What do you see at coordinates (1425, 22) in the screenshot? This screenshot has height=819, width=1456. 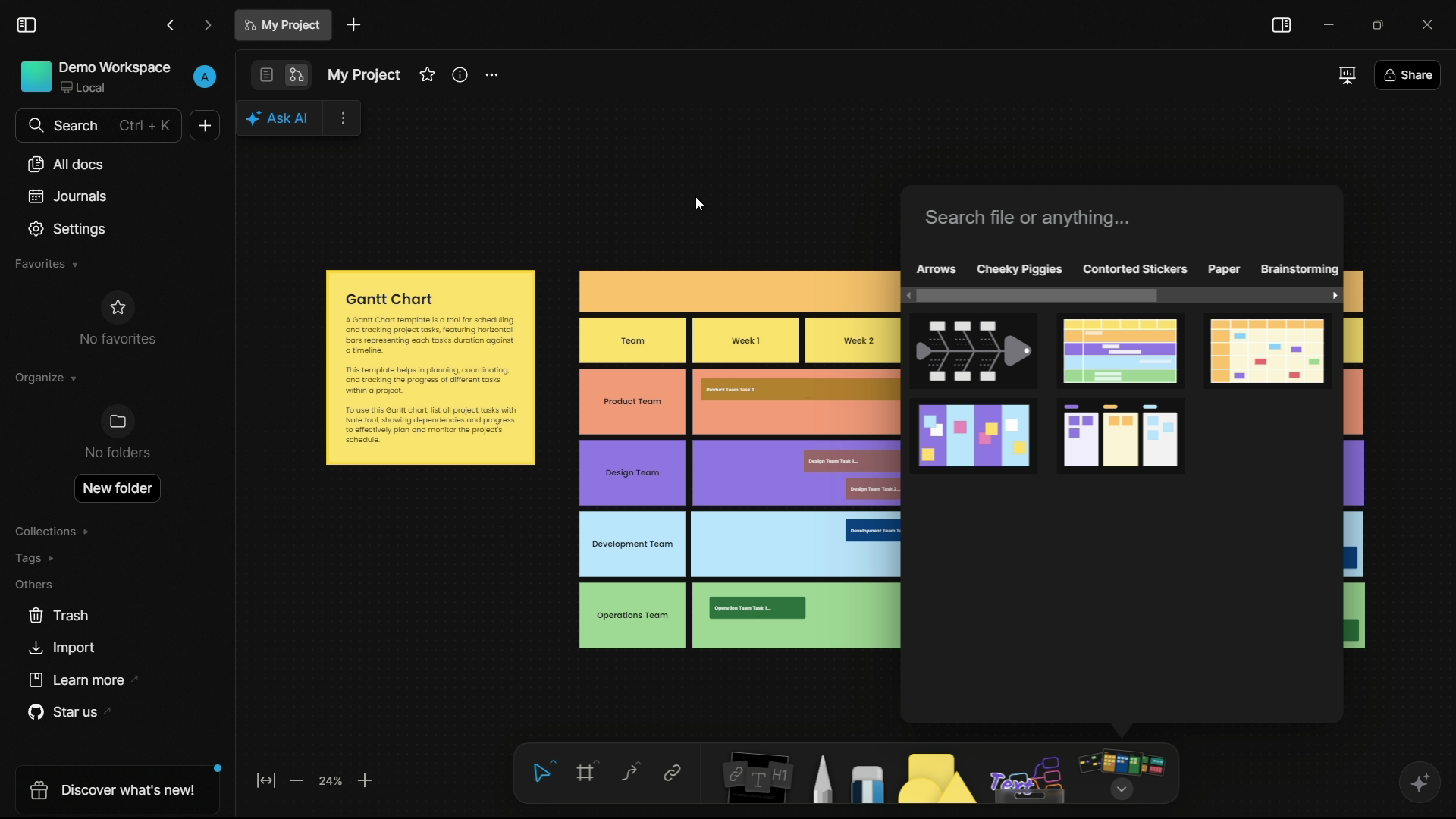 I see `close app` at bounding box center [1425, 22].